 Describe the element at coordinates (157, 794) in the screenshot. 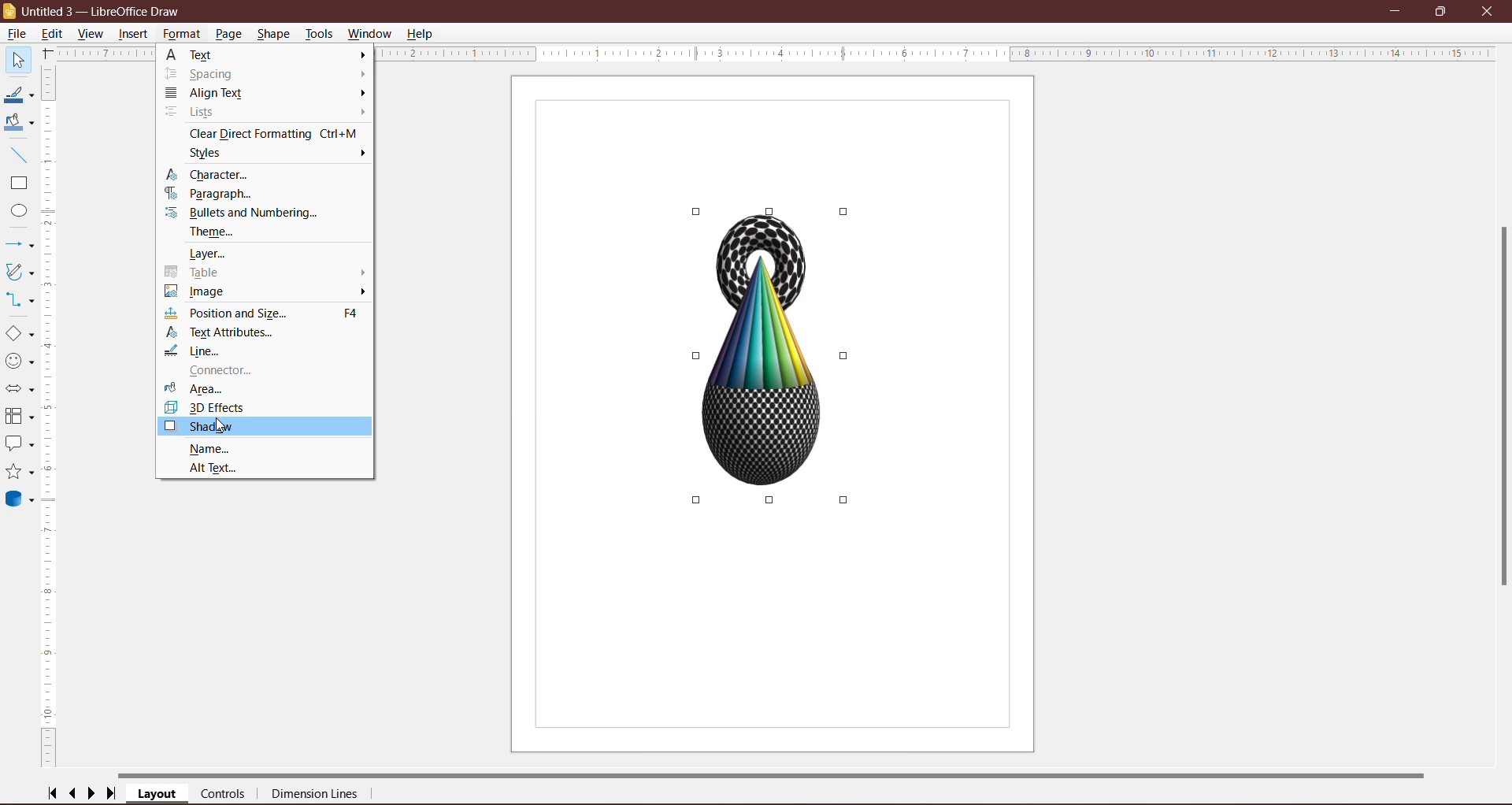

I see `Layer` at that location.